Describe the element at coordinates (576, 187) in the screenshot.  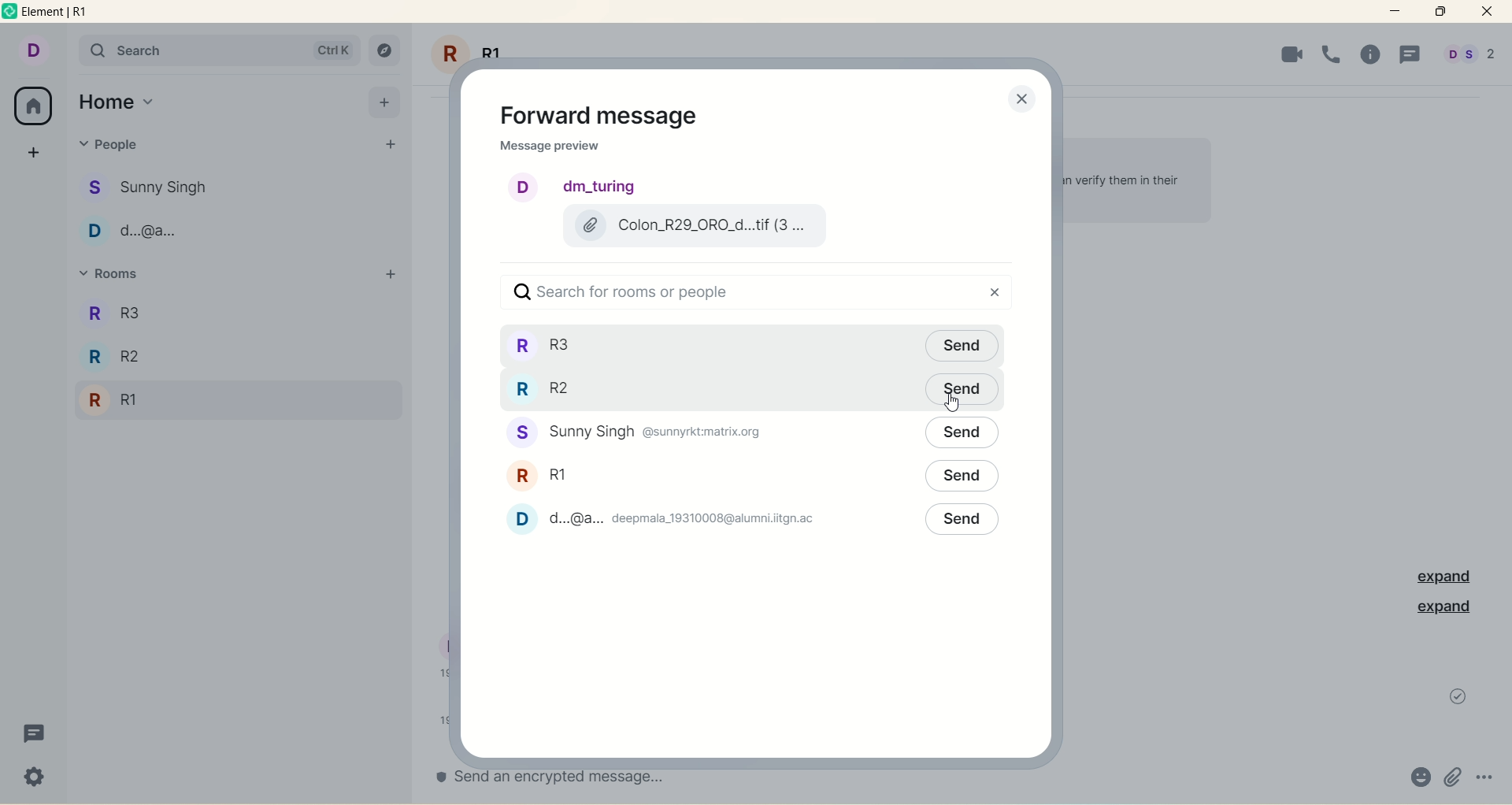
I see `account` at that location.